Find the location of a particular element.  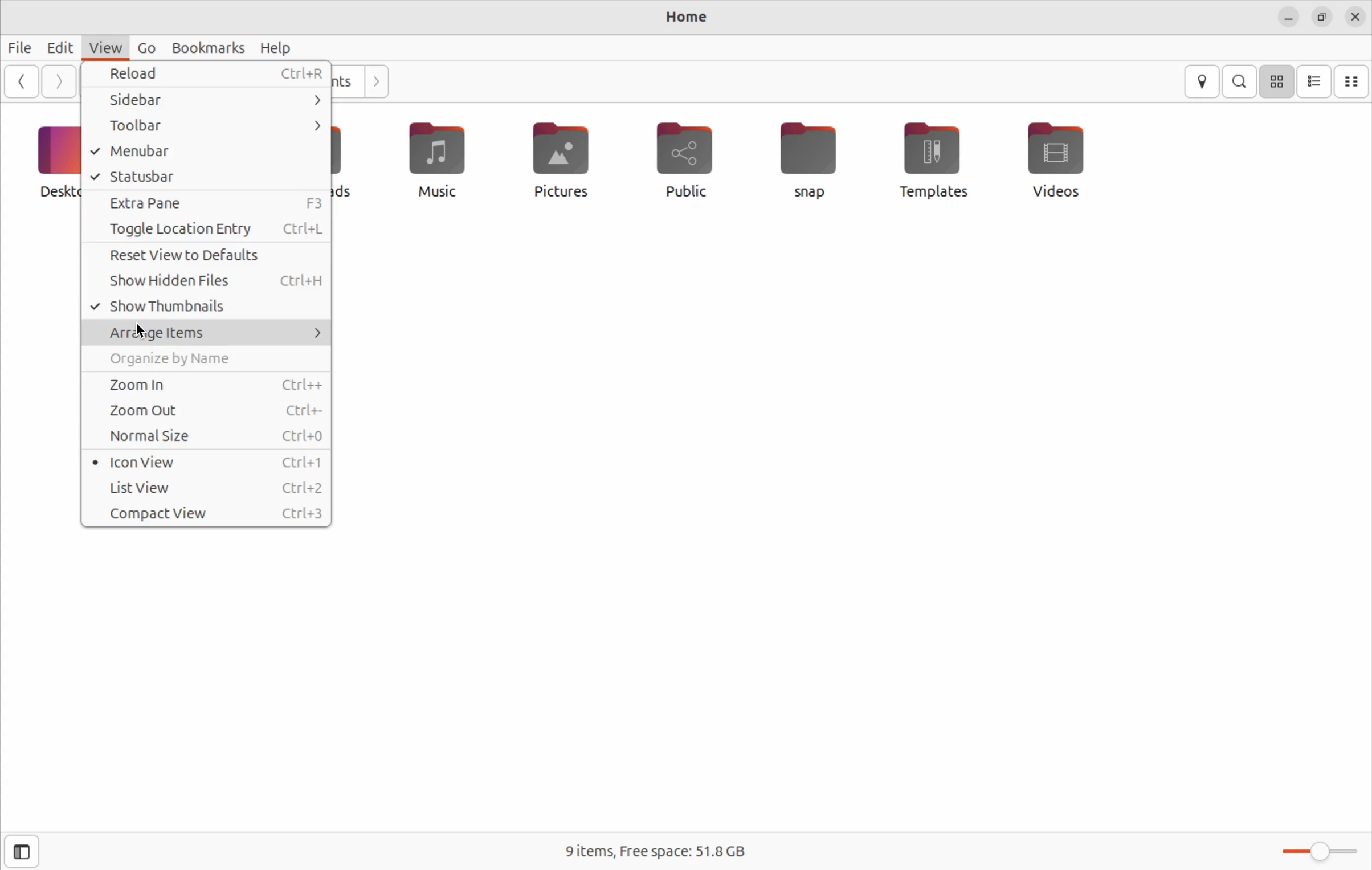

resize is located at coordinates (1321, 17).